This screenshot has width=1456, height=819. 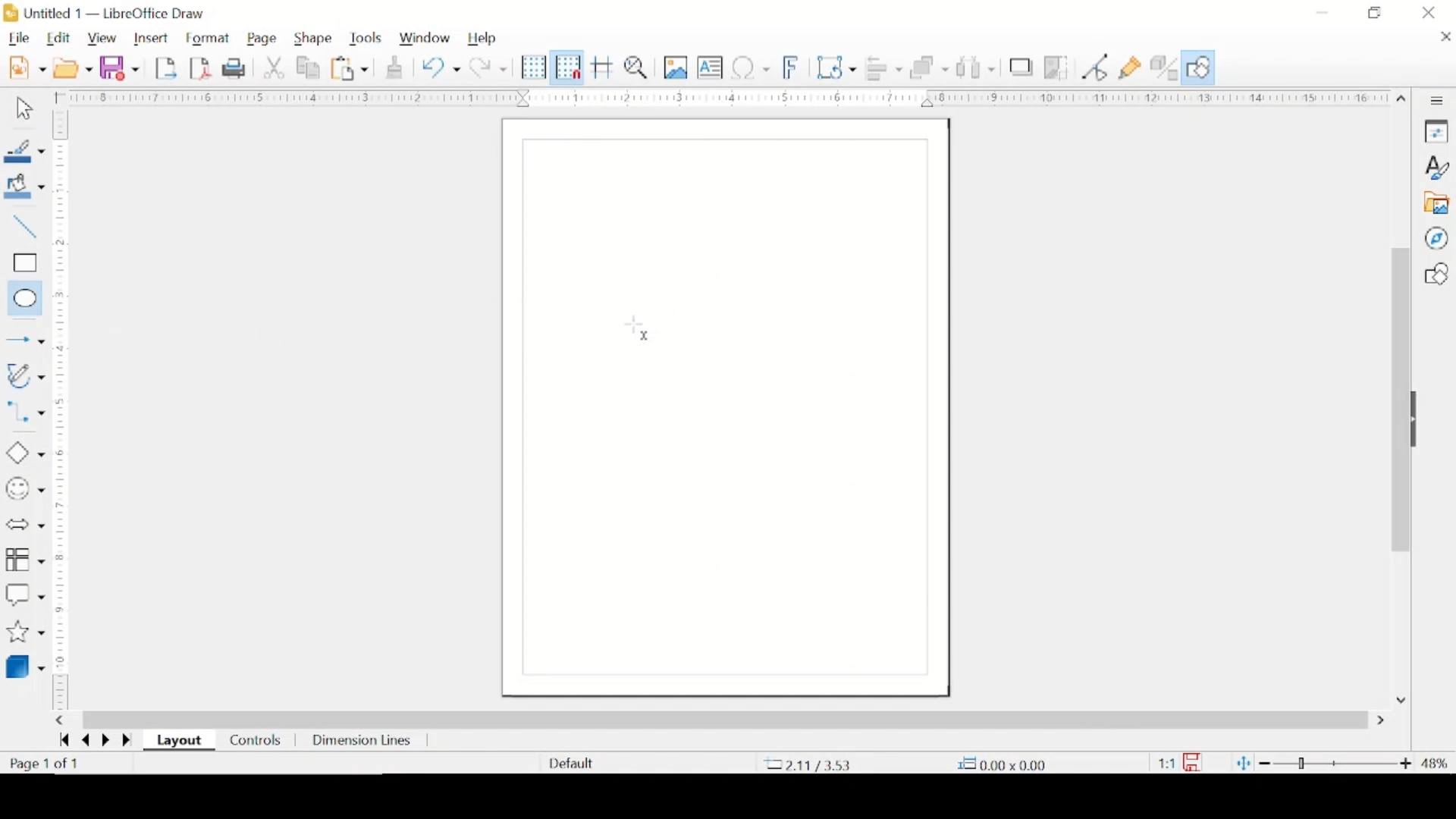 What do you see at coordinates (1398, 700) in the screenshot?
I see `scroll down arrow` at bounding box center [1398, 700].